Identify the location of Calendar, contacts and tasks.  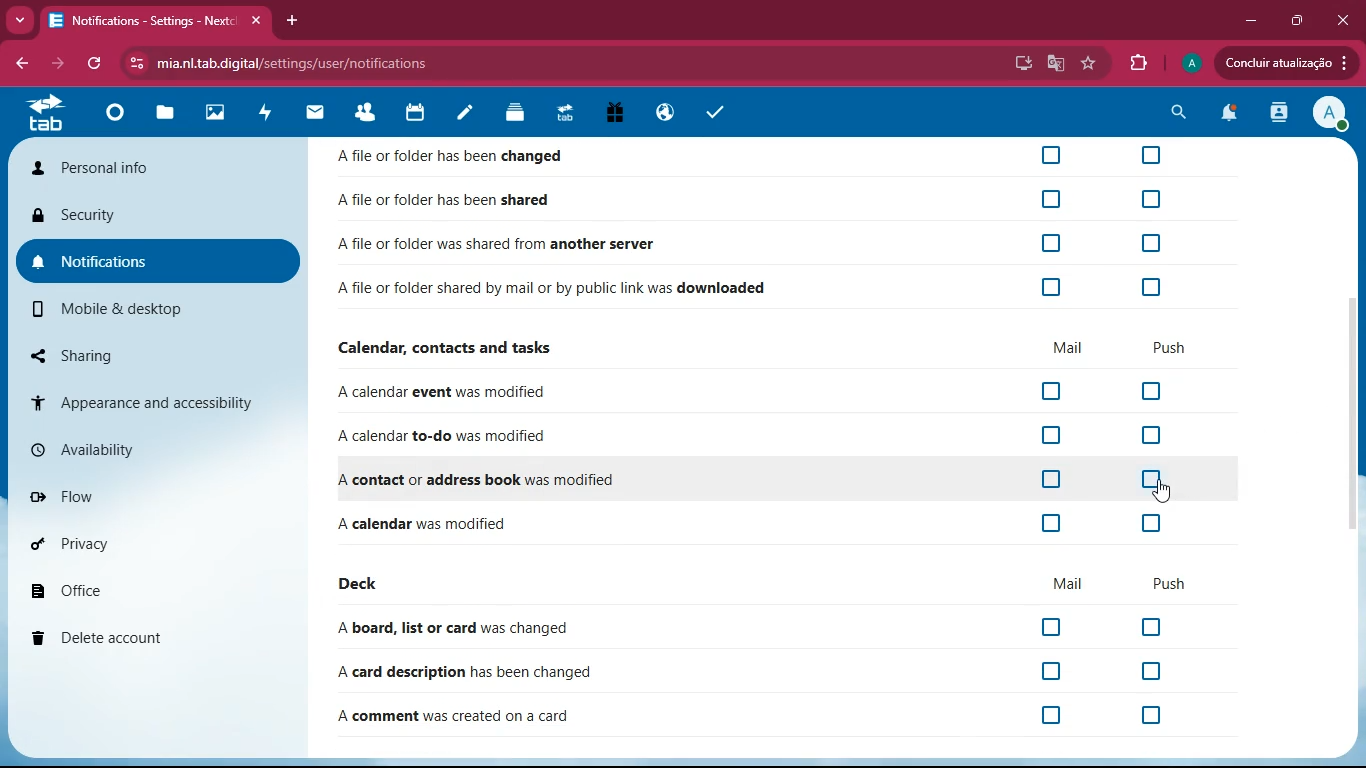
(444, 347).